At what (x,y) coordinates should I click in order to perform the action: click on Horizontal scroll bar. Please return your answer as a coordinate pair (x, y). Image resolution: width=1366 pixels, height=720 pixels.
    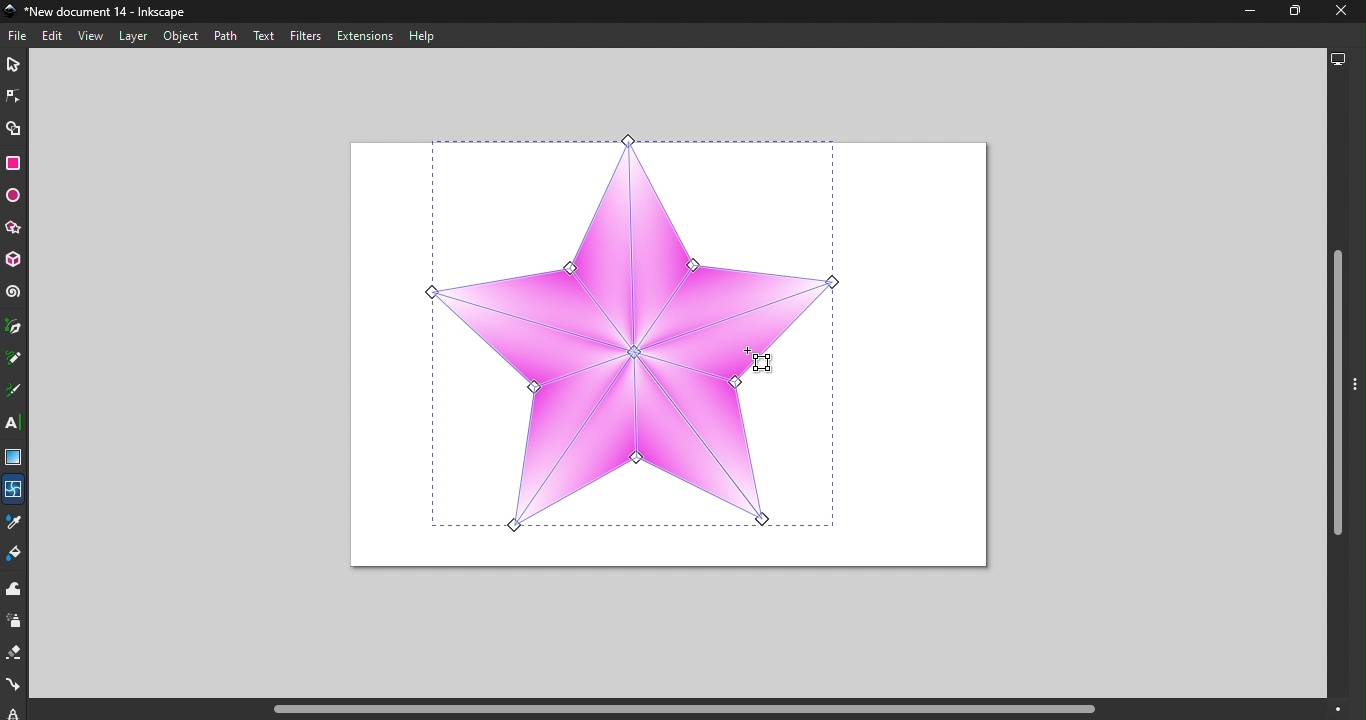
    Looking at the image, I should click on (705, 709).